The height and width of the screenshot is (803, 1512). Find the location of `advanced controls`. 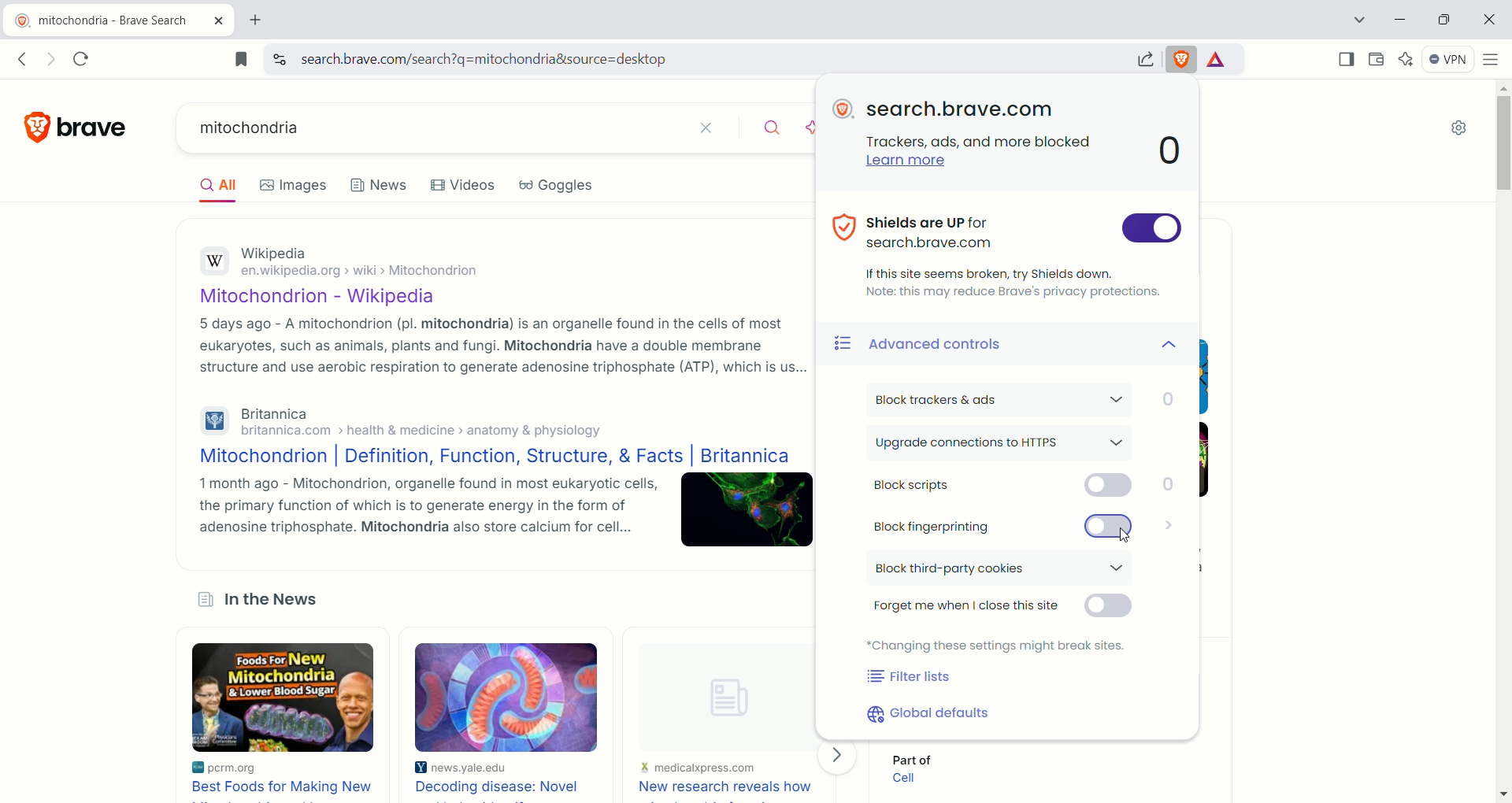

advanced controls is located at coordinates (1014, 344).